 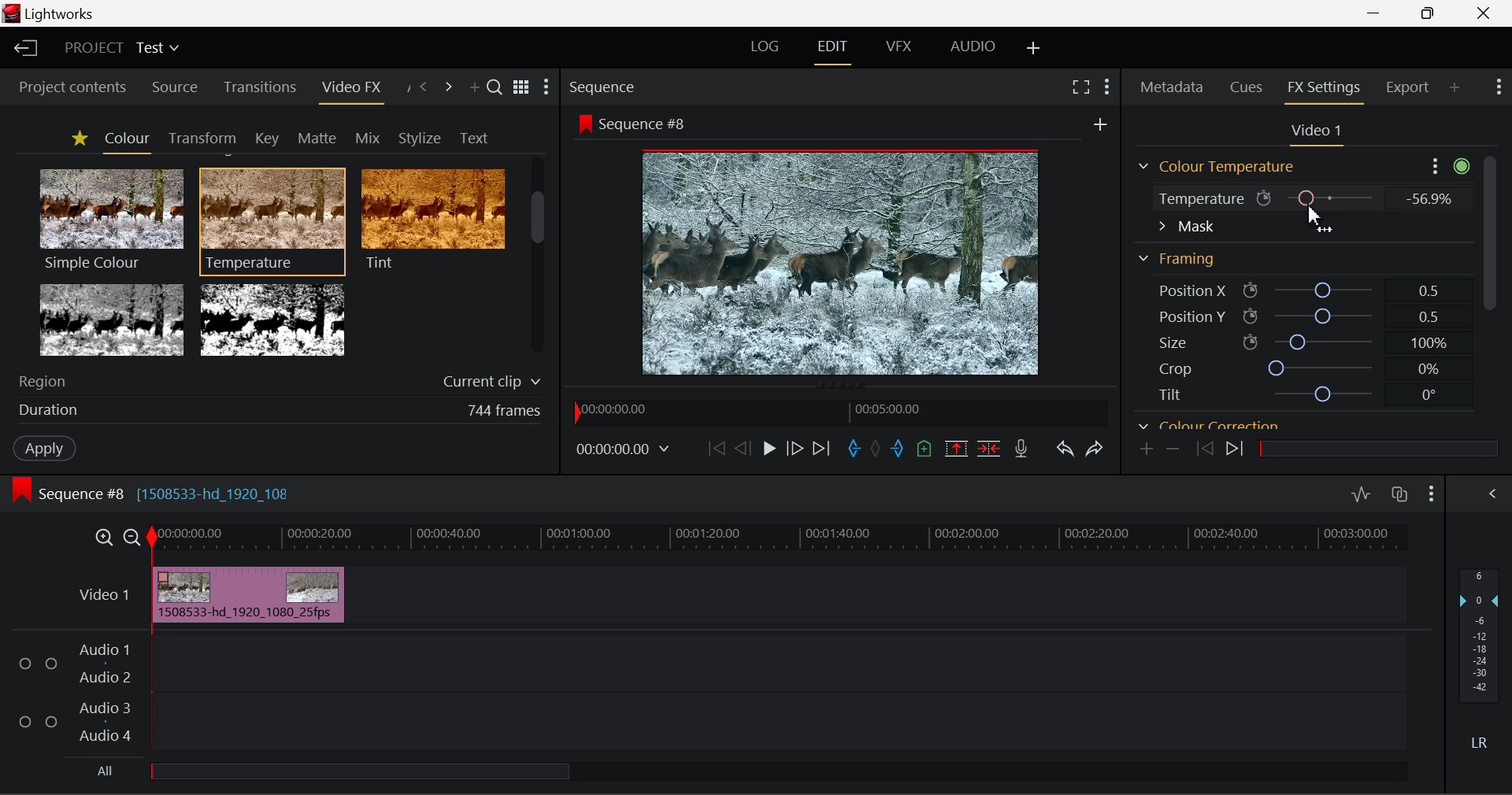 What do you see at coordinates (432, 219) in the screenshot?
I see `Tint` at bounding box center [432, 219].